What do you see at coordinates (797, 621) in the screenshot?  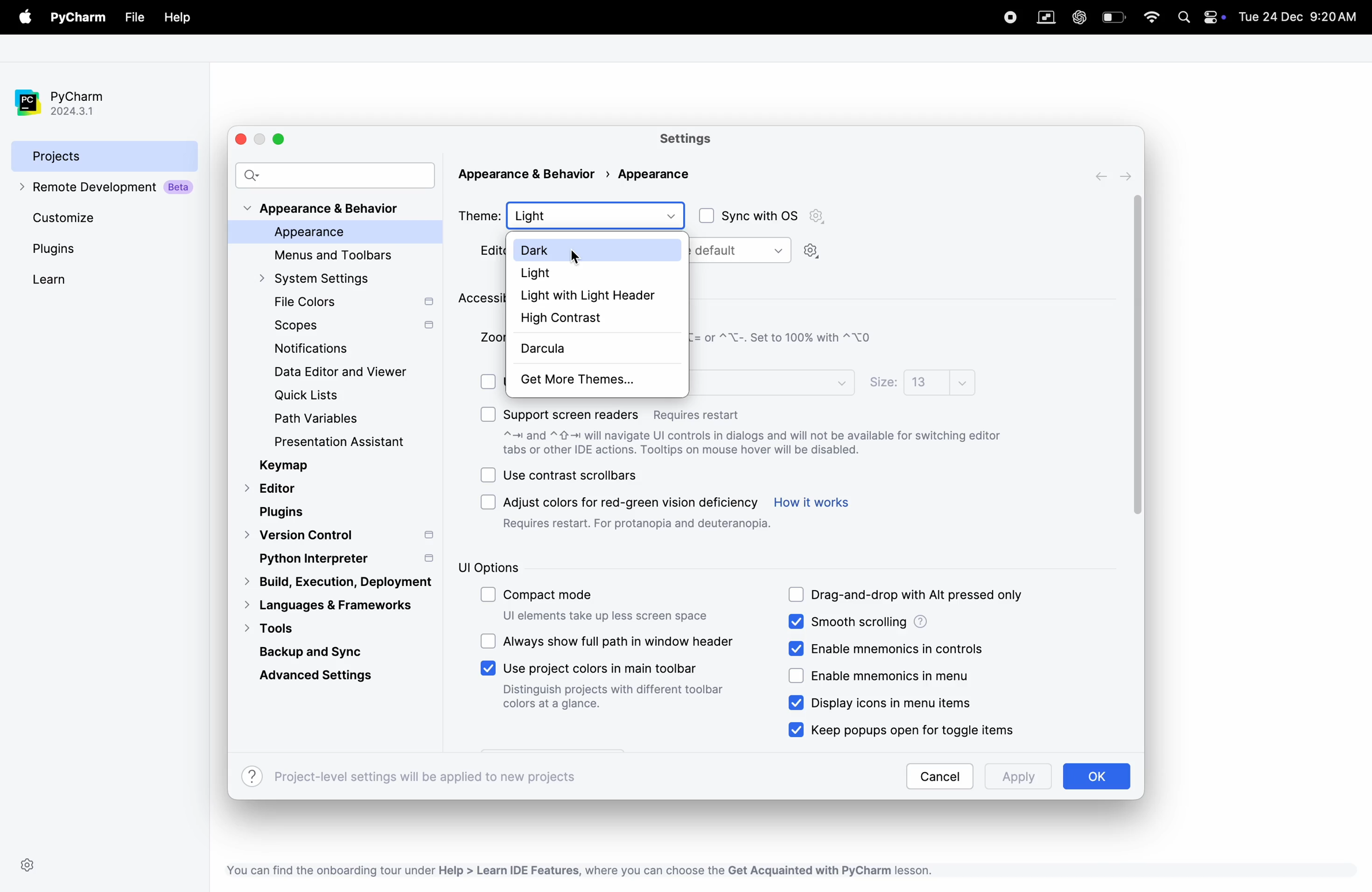 I see `checkbox` at bounding box center [797, 621].